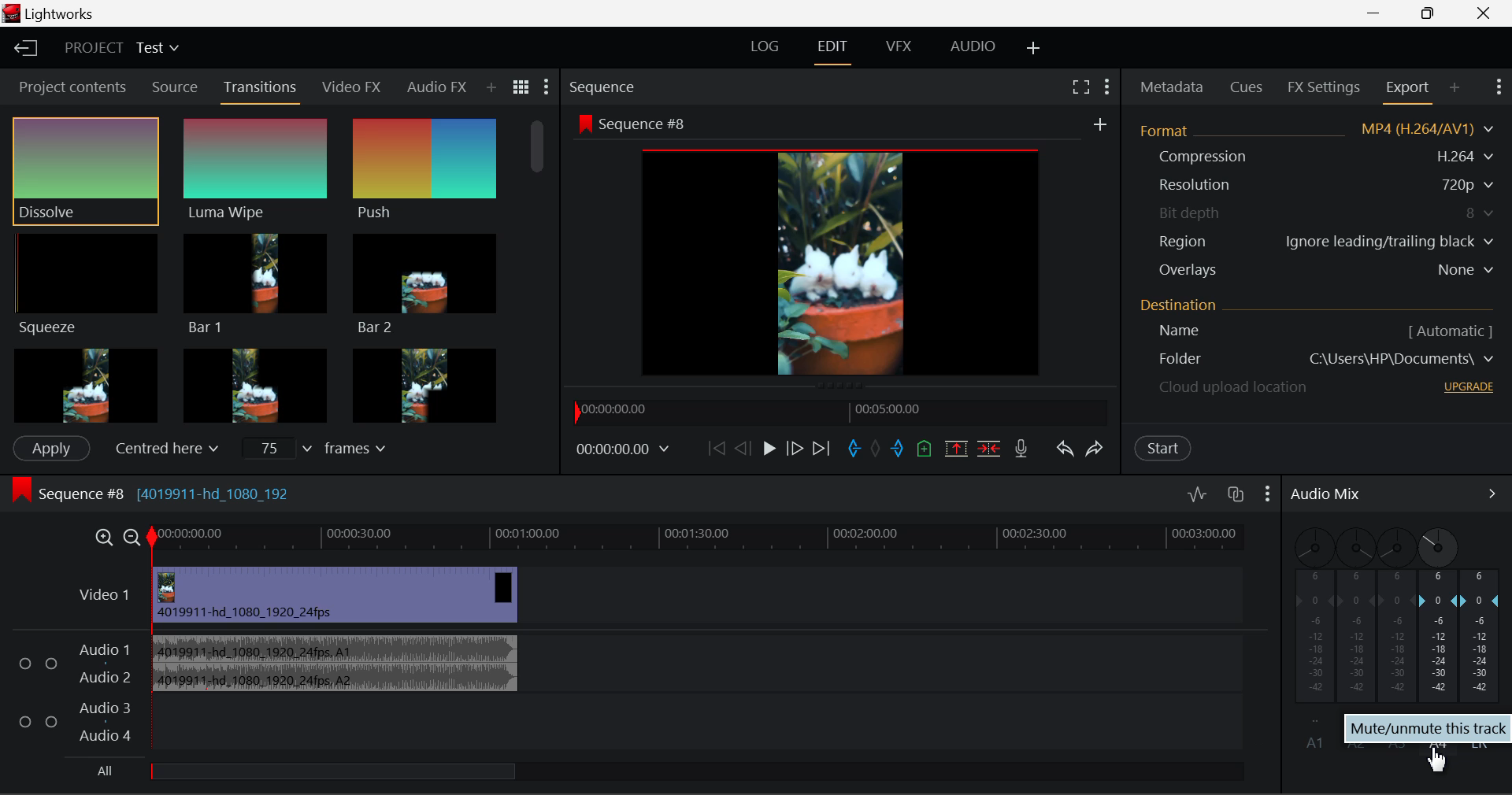 The image size is (1512, 795). Describe the element at coordinates (854, 452) in the screenshot. I see `Mark In` at that location.